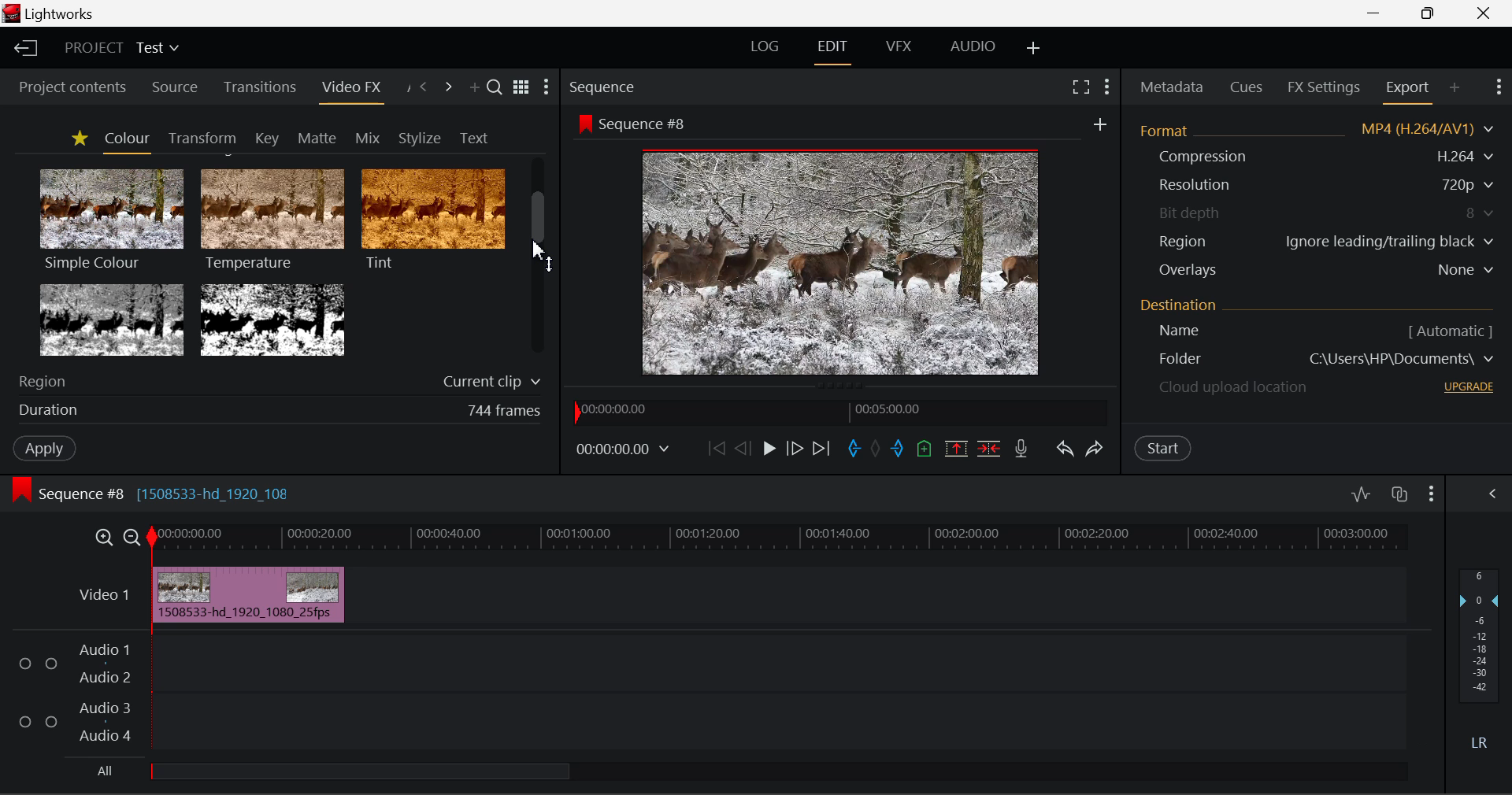 The image size is (1512, 795). I want to click on Search, so click(496, 90).